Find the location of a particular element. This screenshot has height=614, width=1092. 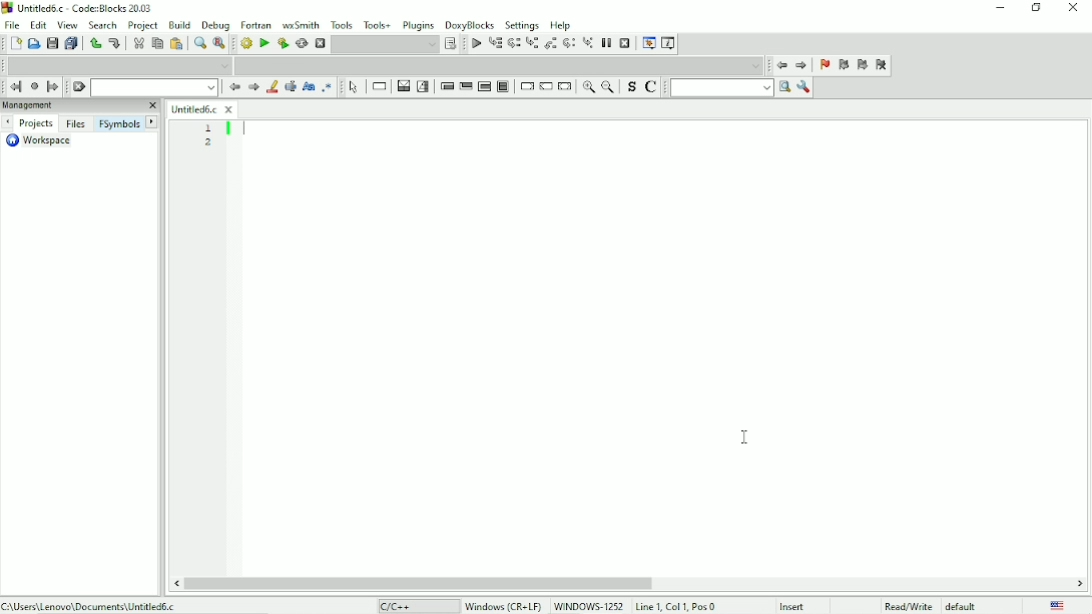

Replace is located at coordinates (219, 45).